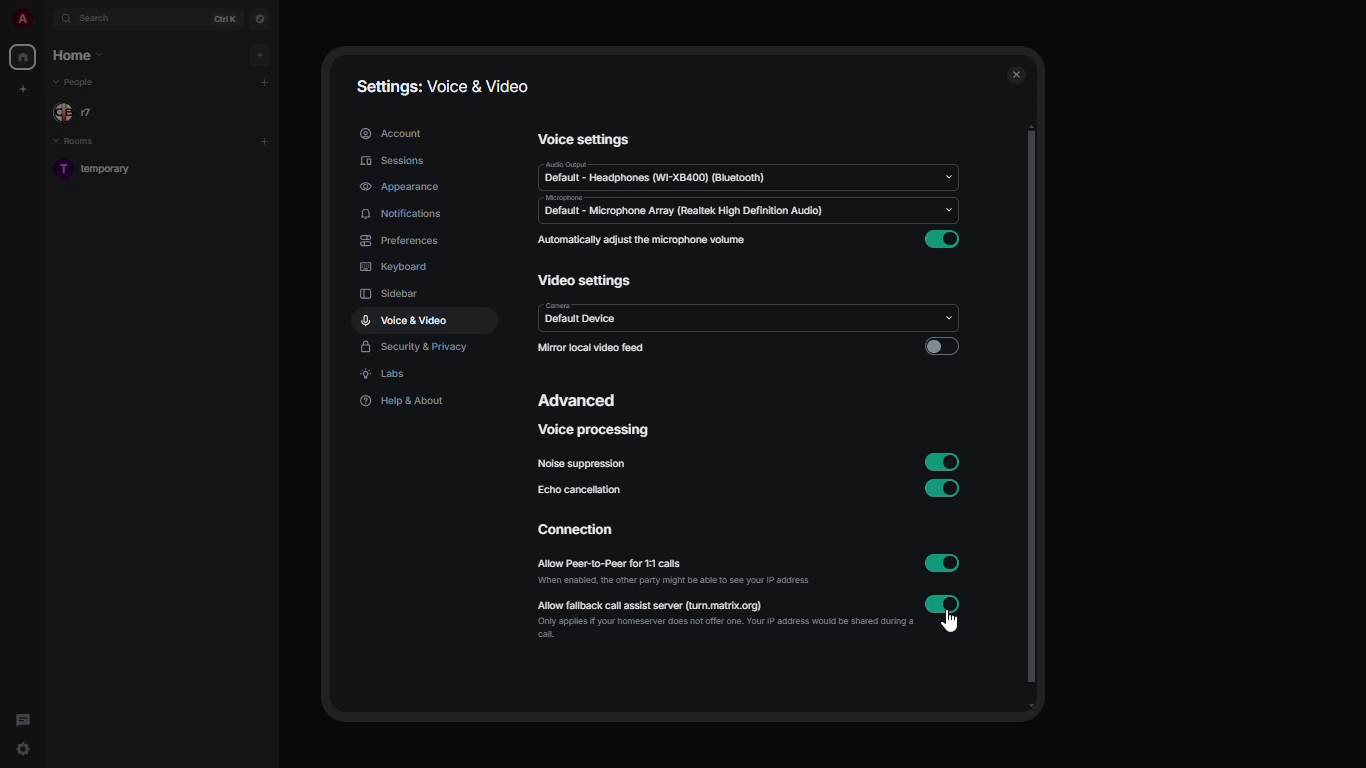  I want to click on enabled, so click(942, 461).